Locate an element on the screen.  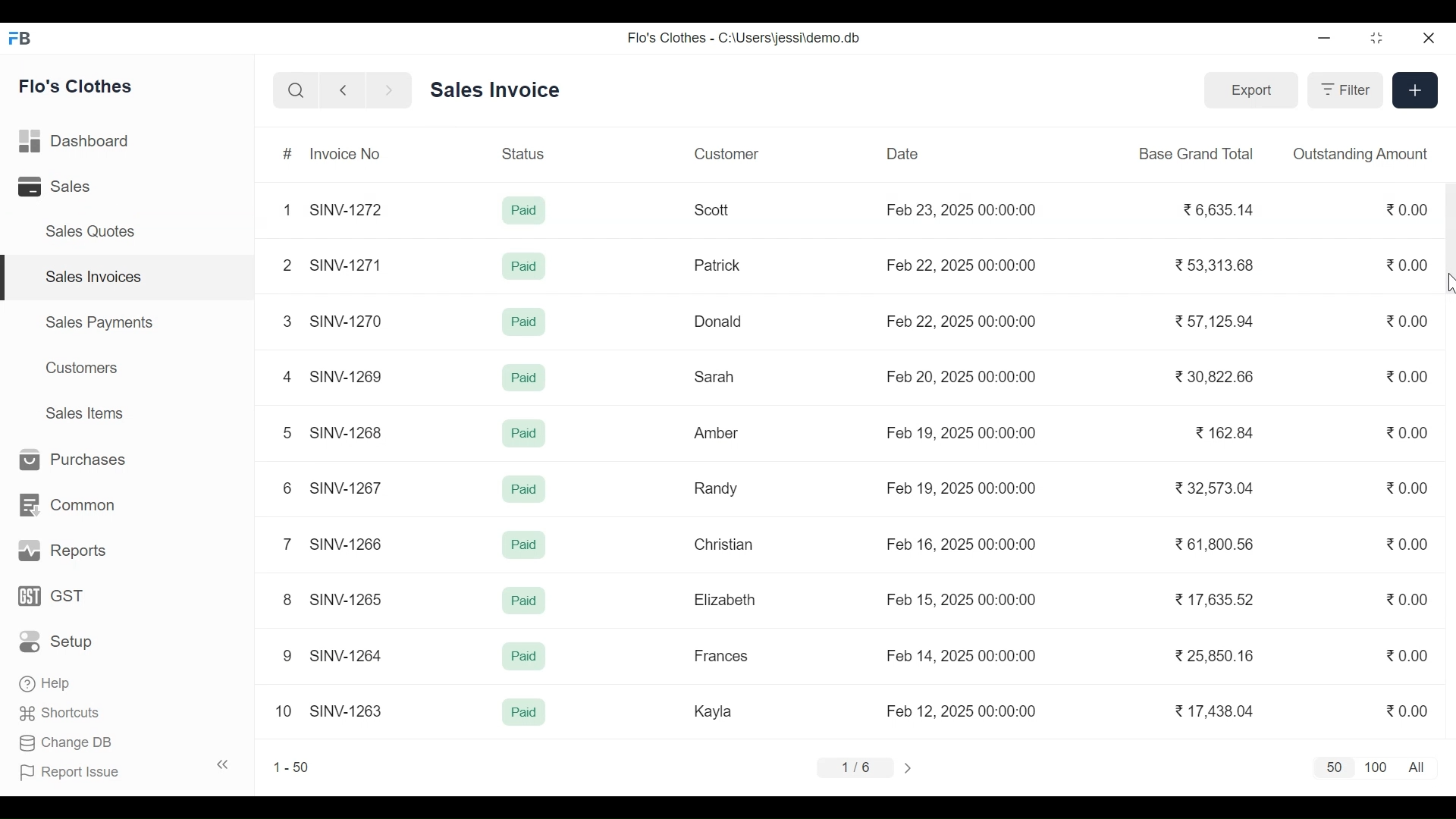
Paid is located at coordinates (522, 322).